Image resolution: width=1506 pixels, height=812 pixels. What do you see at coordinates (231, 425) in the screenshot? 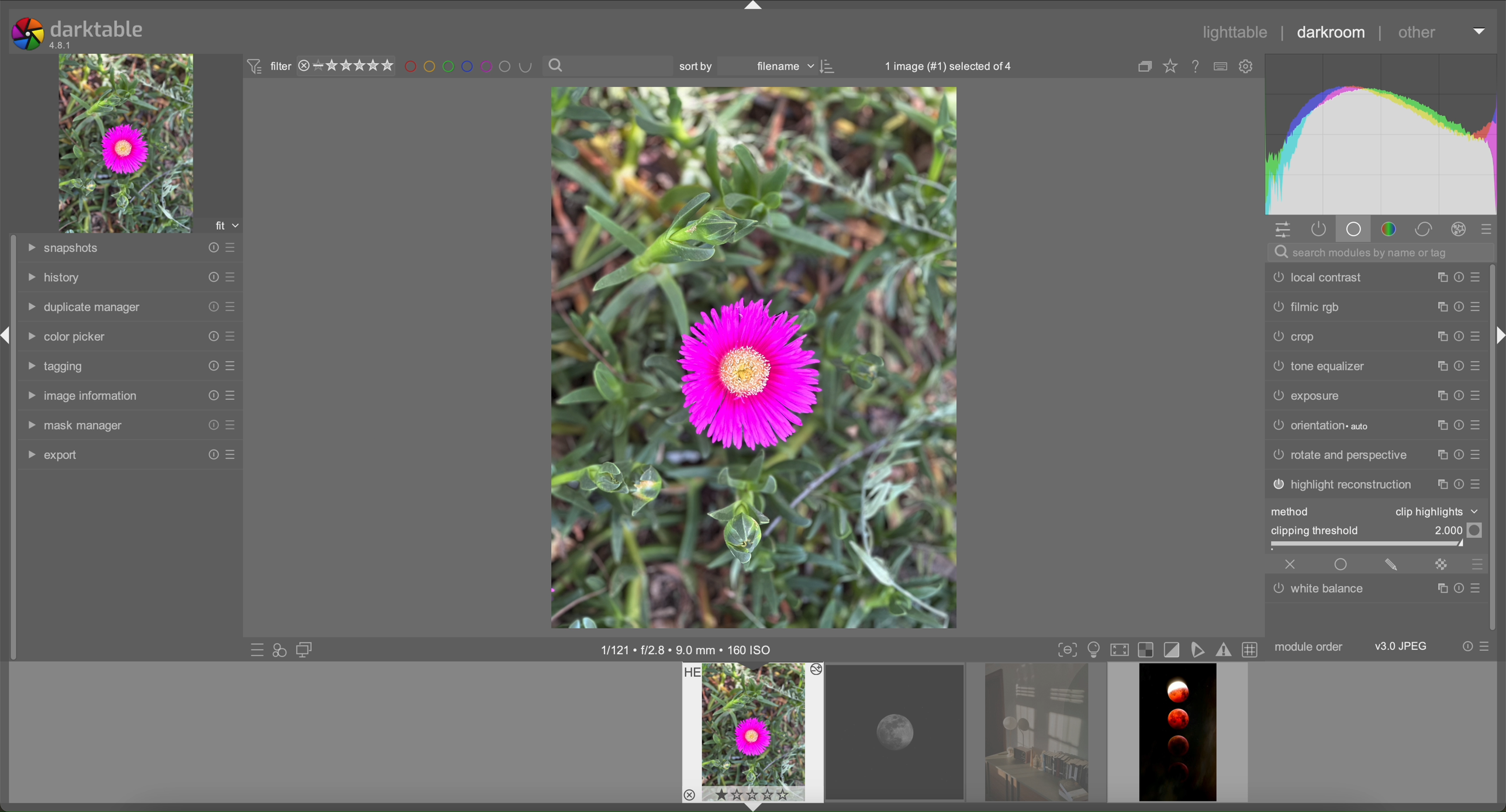
I see `presets` at bounding box center [231, 425].